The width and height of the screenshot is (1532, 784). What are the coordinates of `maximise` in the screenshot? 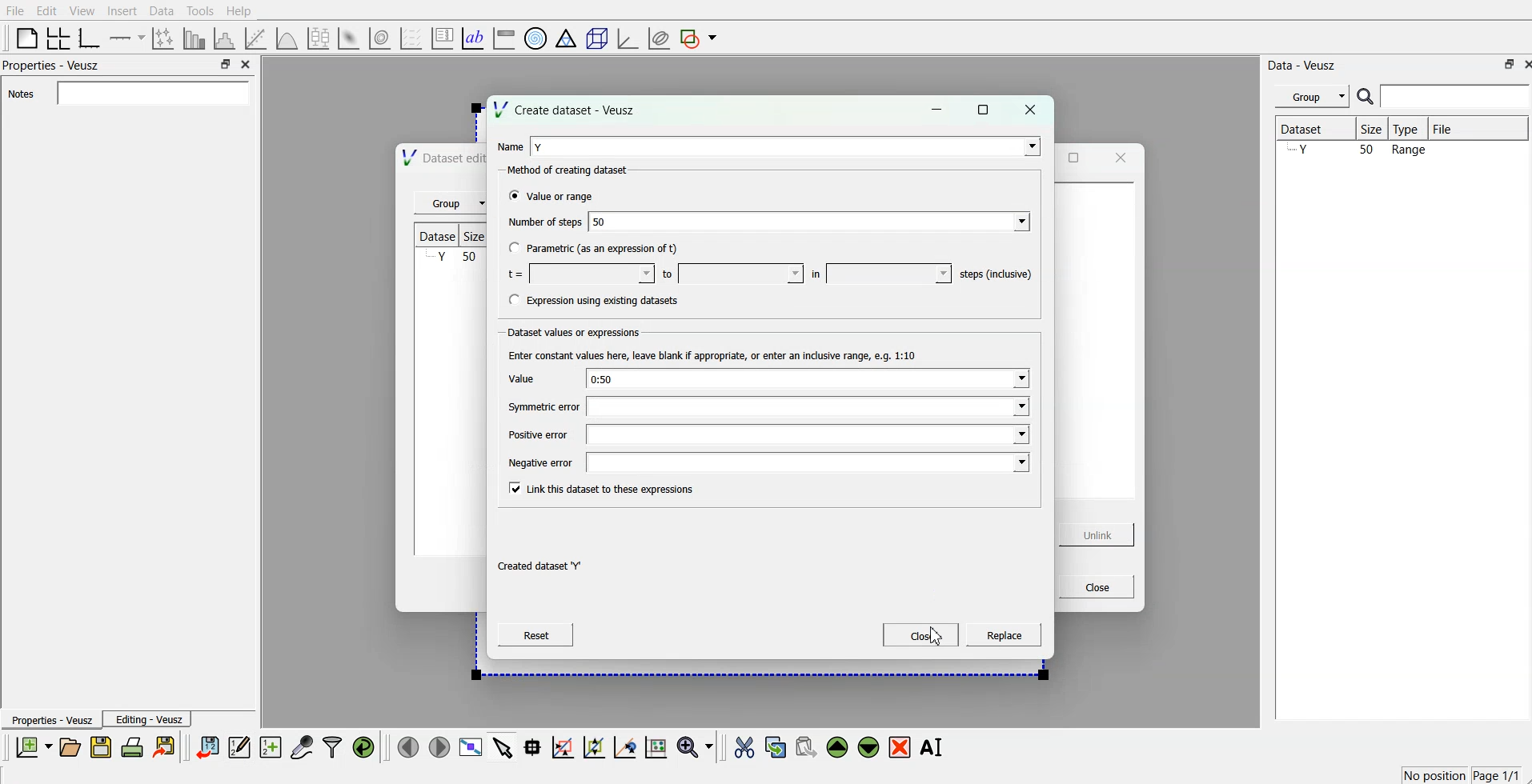 It's located at (989, 109).